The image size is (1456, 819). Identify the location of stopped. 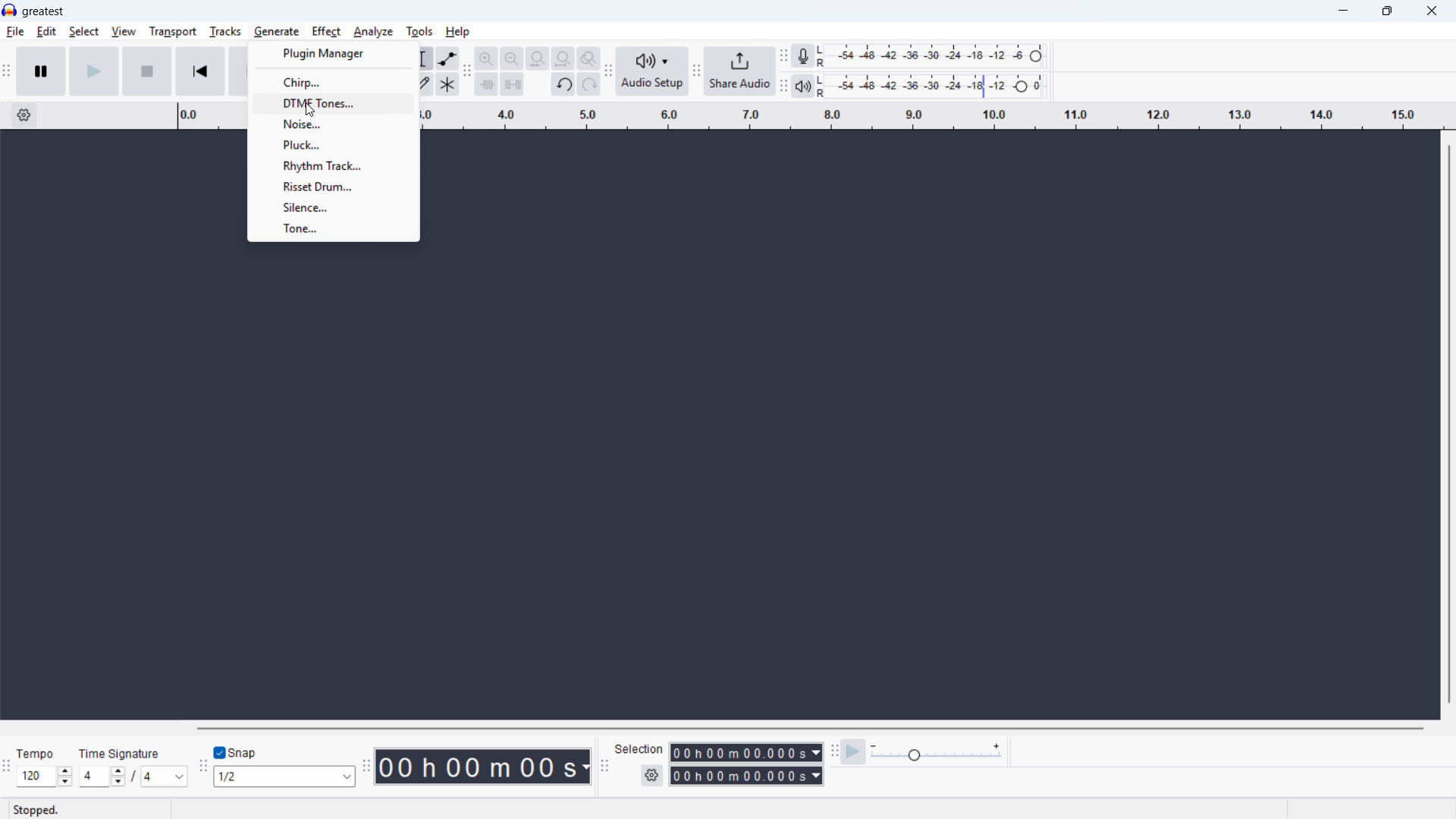
(36, 811).